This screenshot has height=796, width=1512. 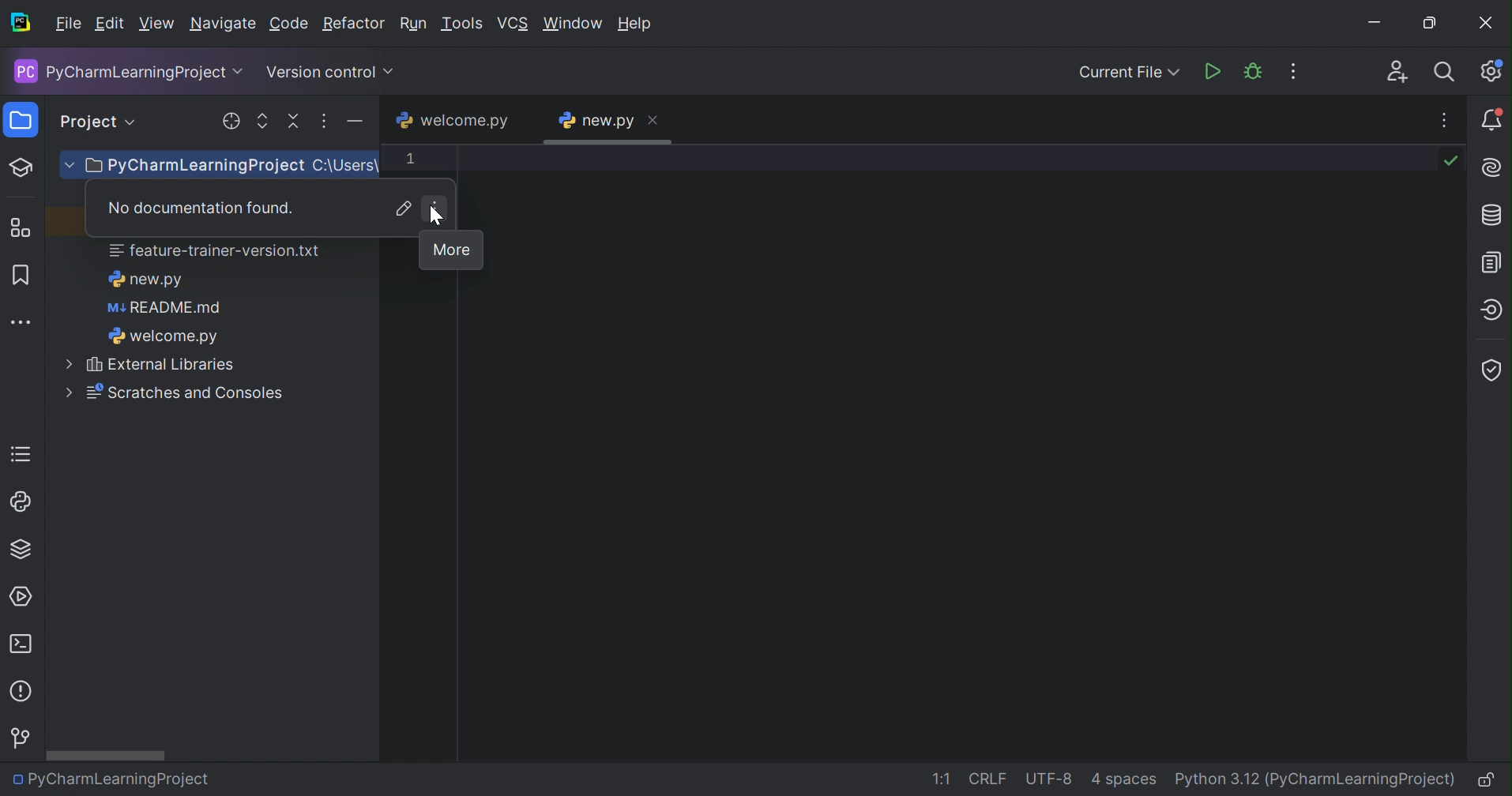 I want to click on Recent Files, Tab Actions, and More, so click(x=1445, y=117).